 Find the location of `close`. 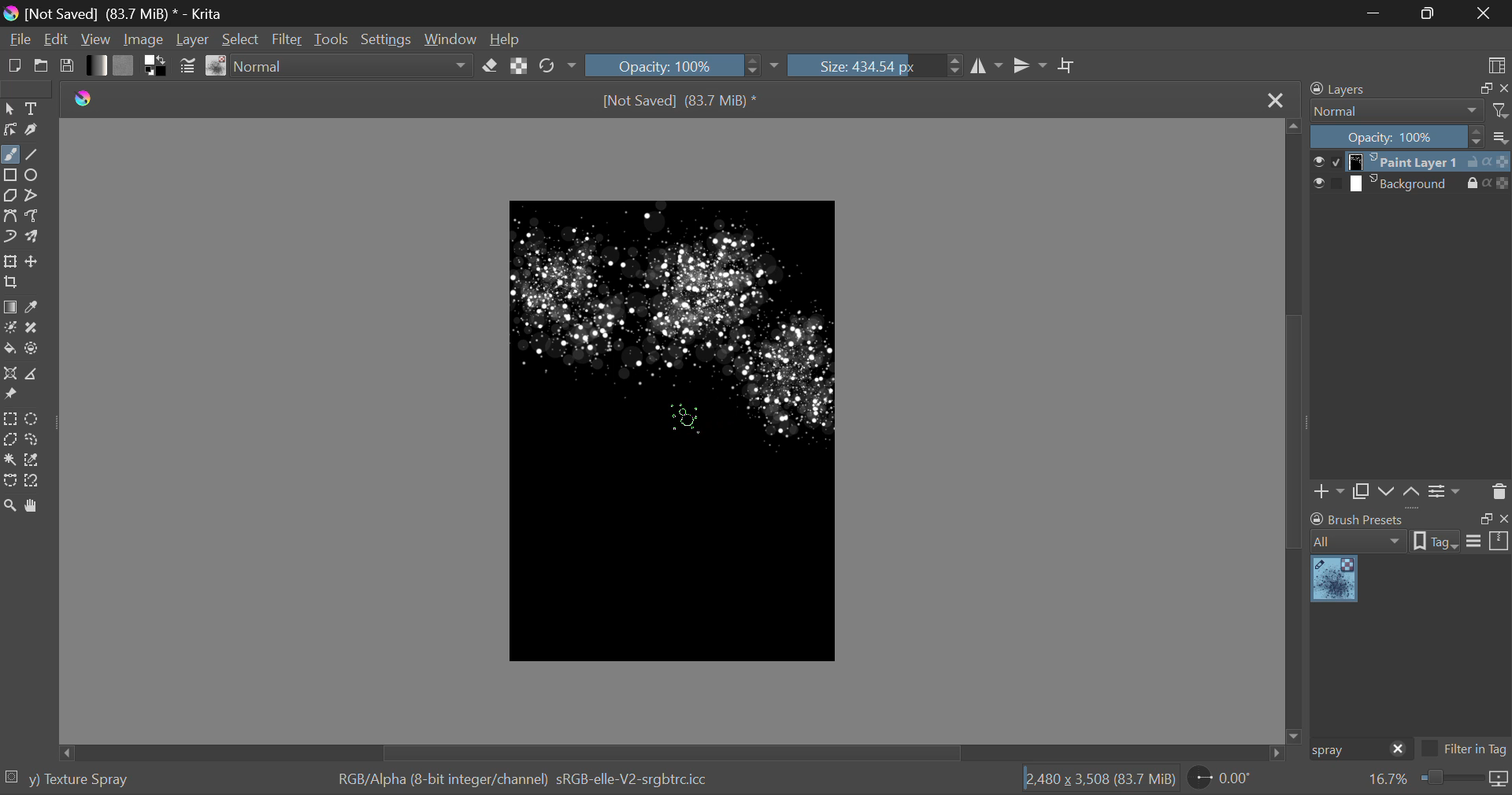

close is located at coordinates (1503, 519).